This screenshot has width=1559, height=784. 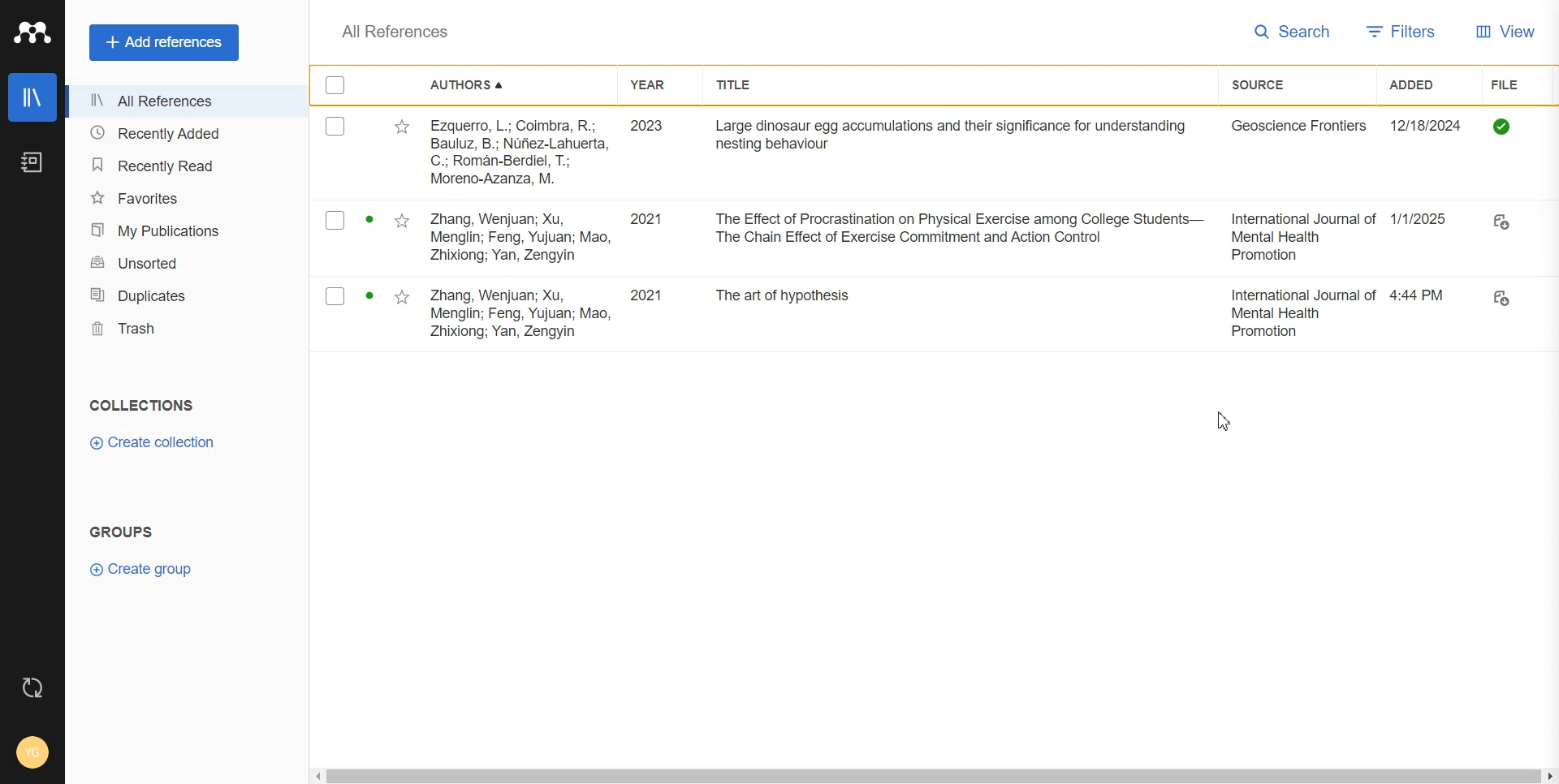 I want to click on Library, so click(x=32, y=97).